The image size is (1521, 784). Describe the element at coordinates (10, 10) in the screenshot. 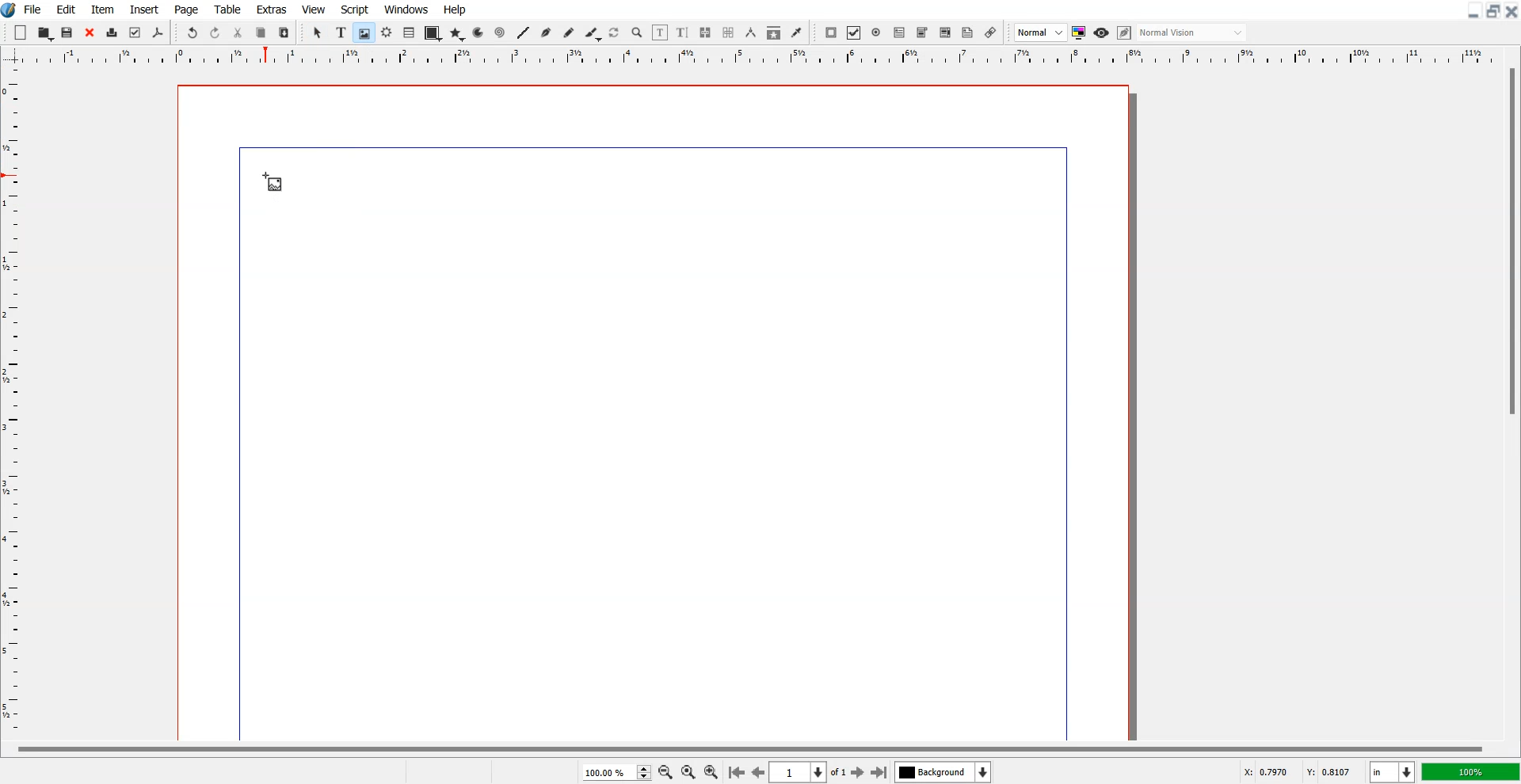

I see `Logo` at that location.